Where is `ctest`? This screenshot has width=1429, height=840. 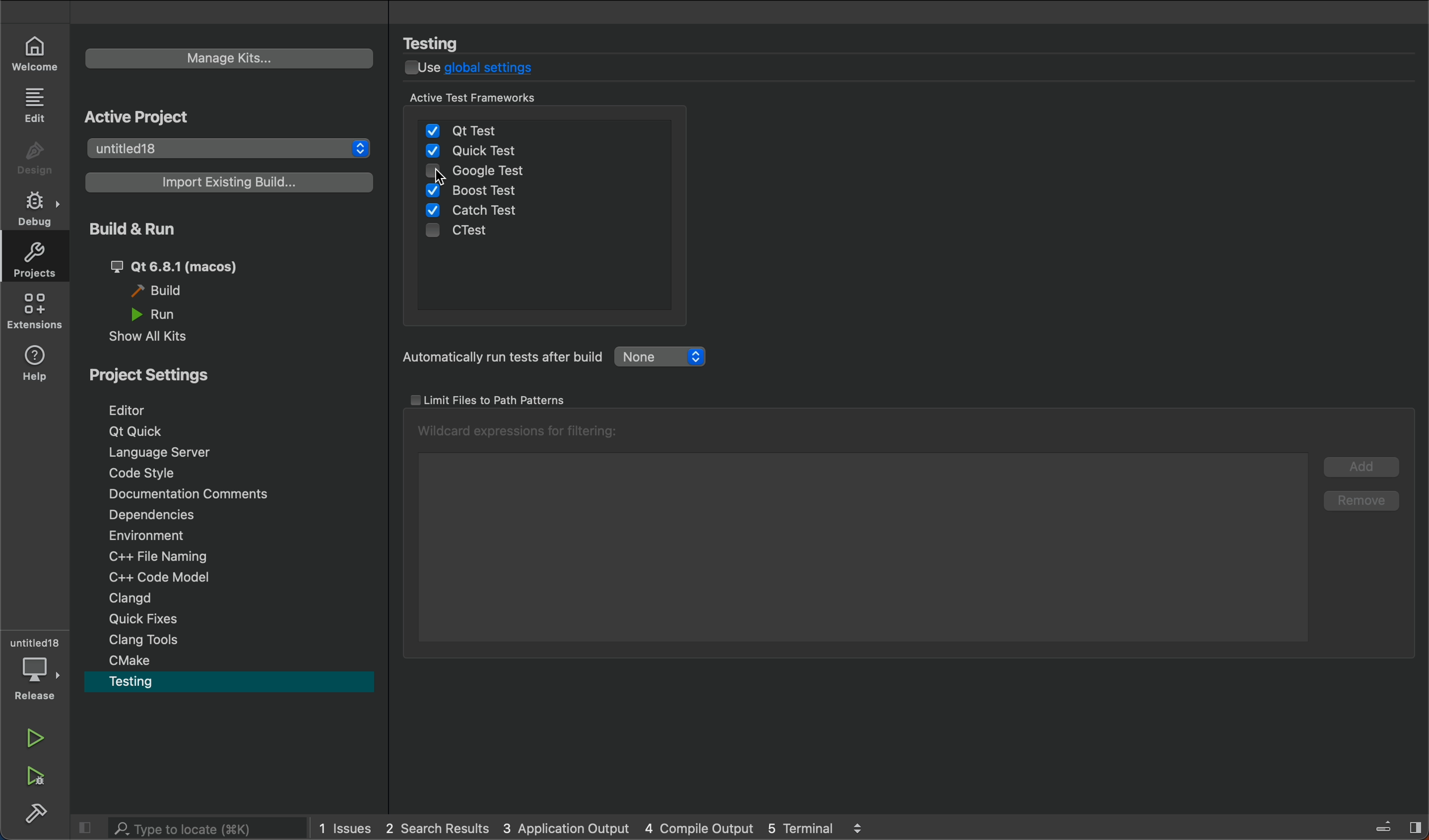
ctest is located at coordinates (478, 234).